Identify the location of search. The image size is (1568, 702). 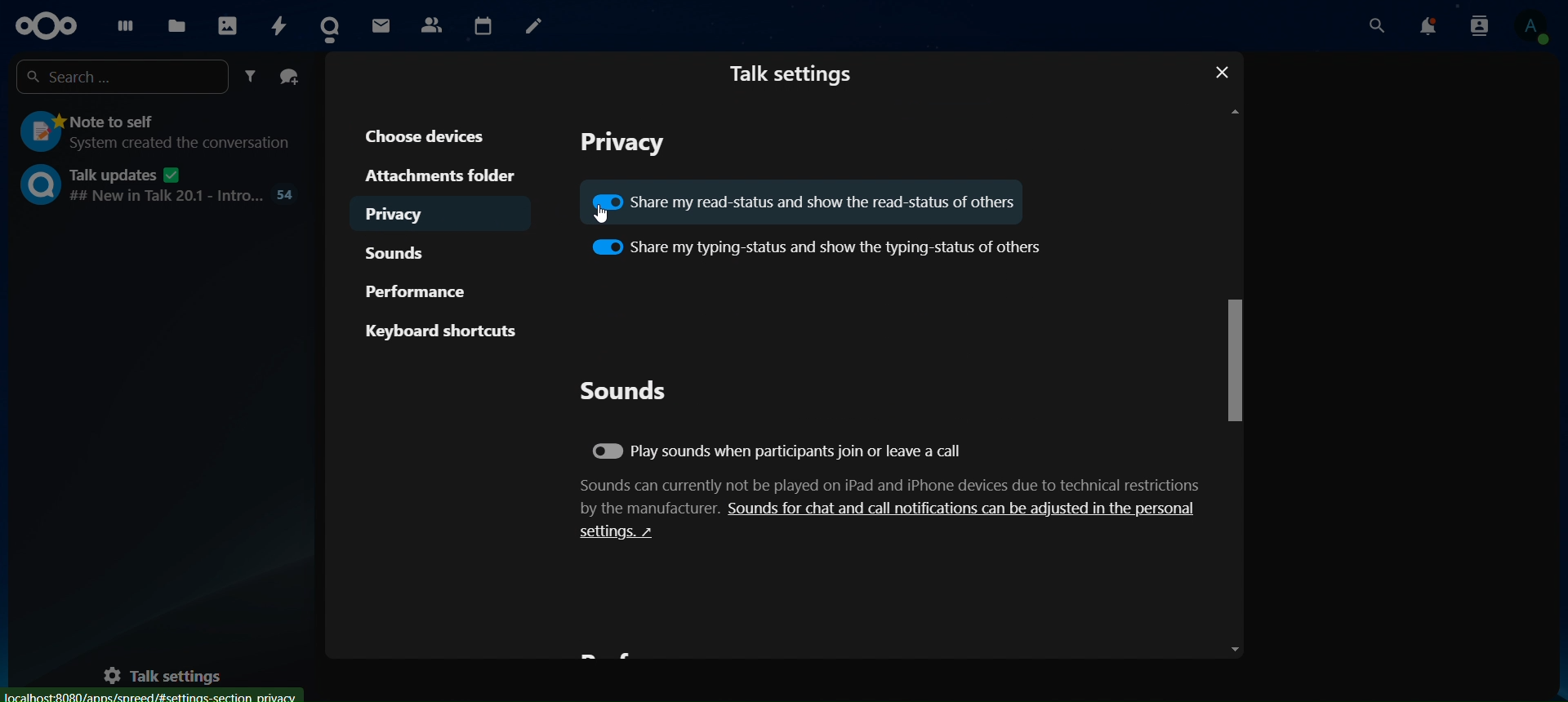
(124, 74).